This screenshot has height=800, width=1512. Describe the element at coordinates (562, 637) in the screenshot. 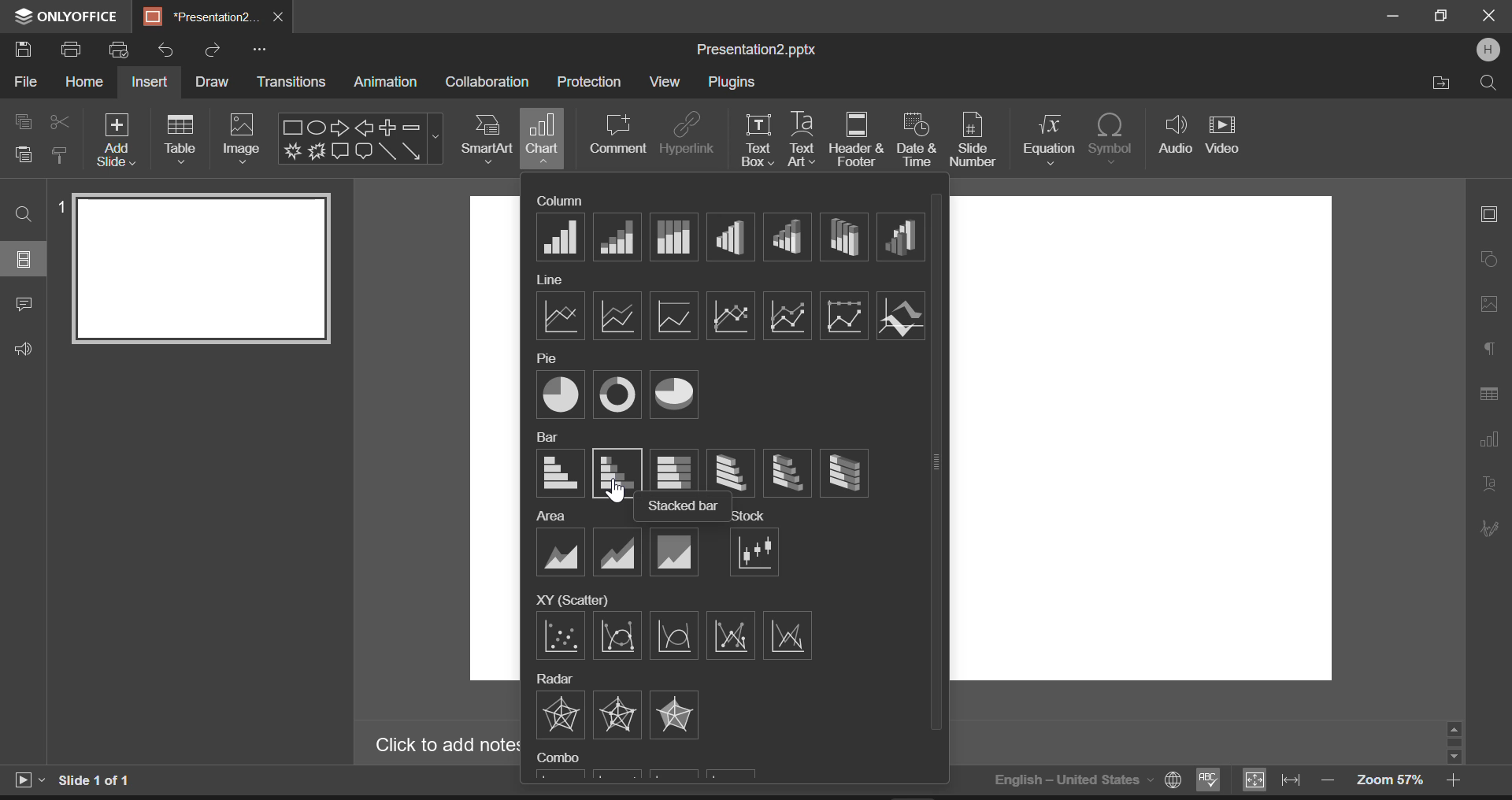

I see `Scatter` at that location.